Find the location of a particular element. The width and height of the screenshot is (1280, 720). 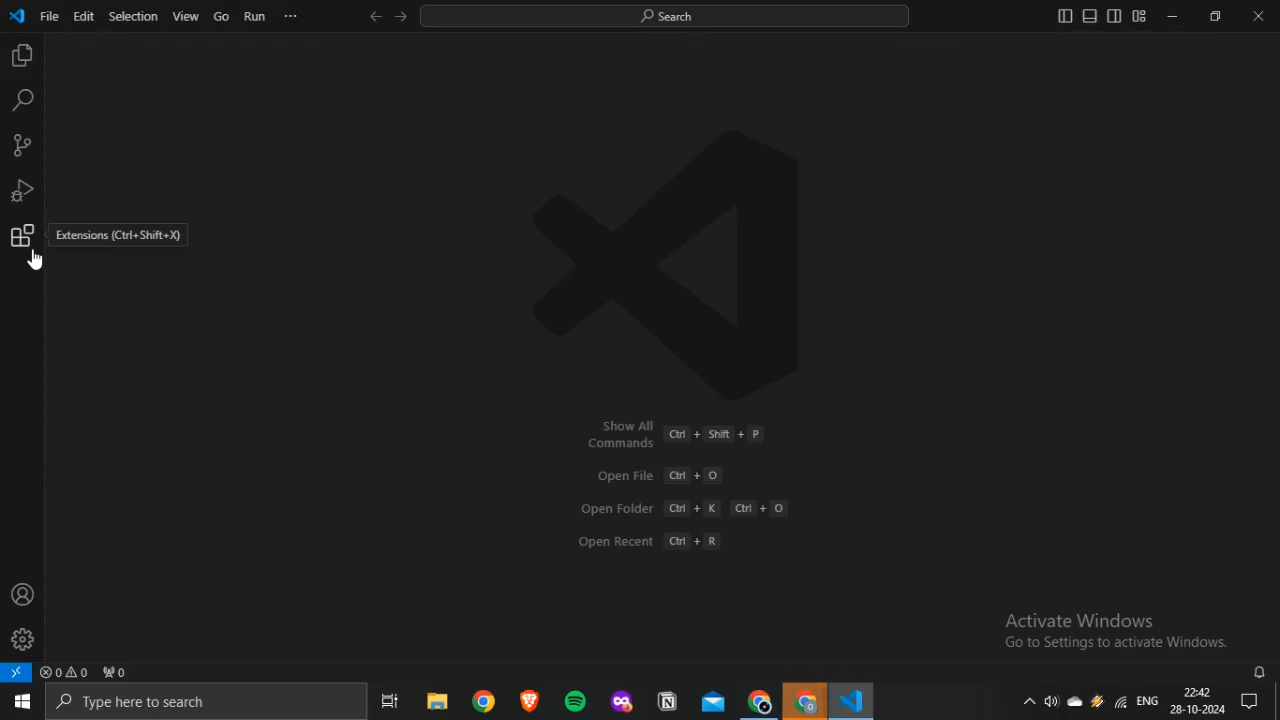

vscode icon is located at coordinates (18, 17).